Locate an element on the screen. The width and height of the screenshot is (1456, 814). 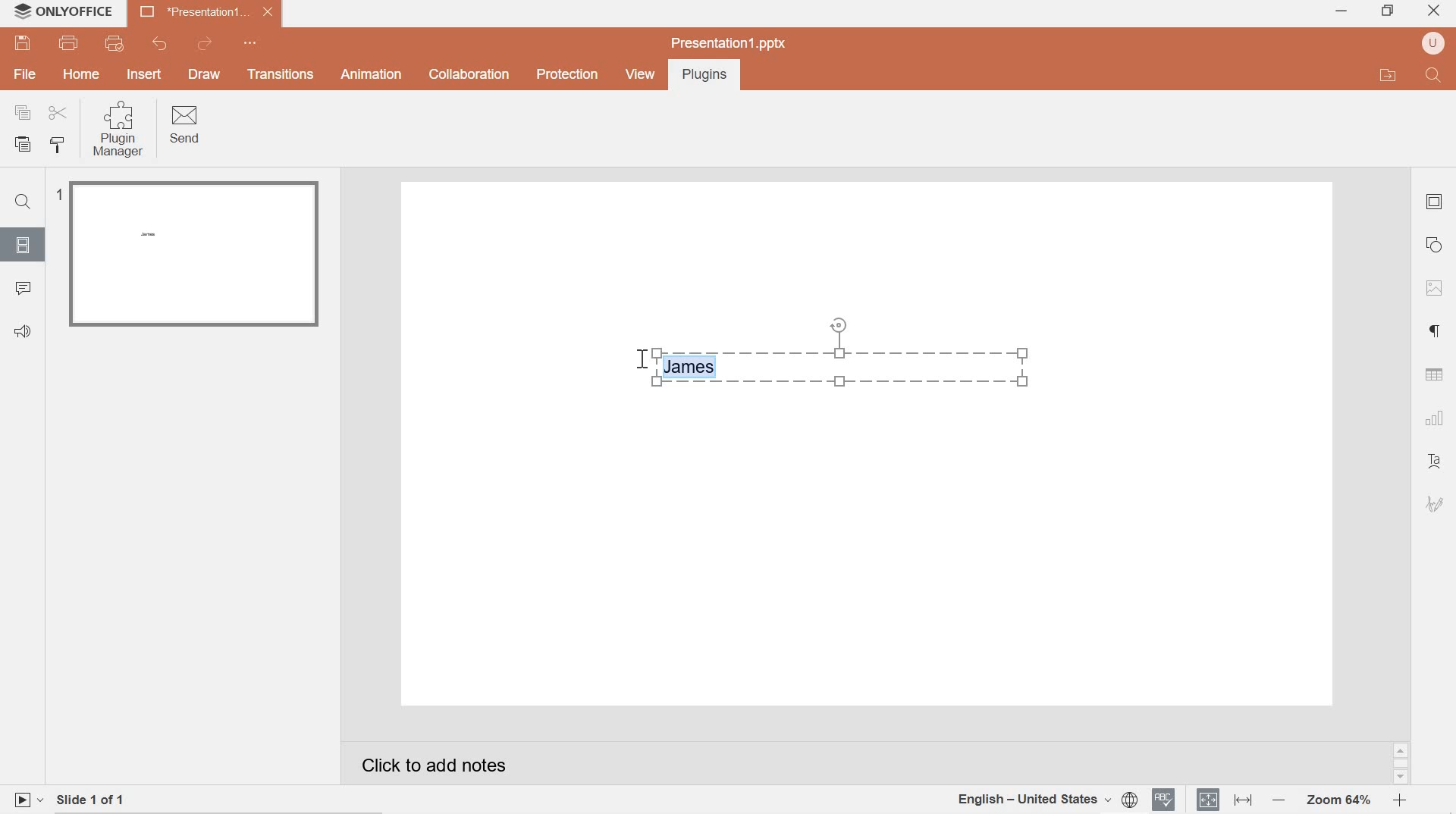
quick access toolbar is located at coordinates (253, 43).